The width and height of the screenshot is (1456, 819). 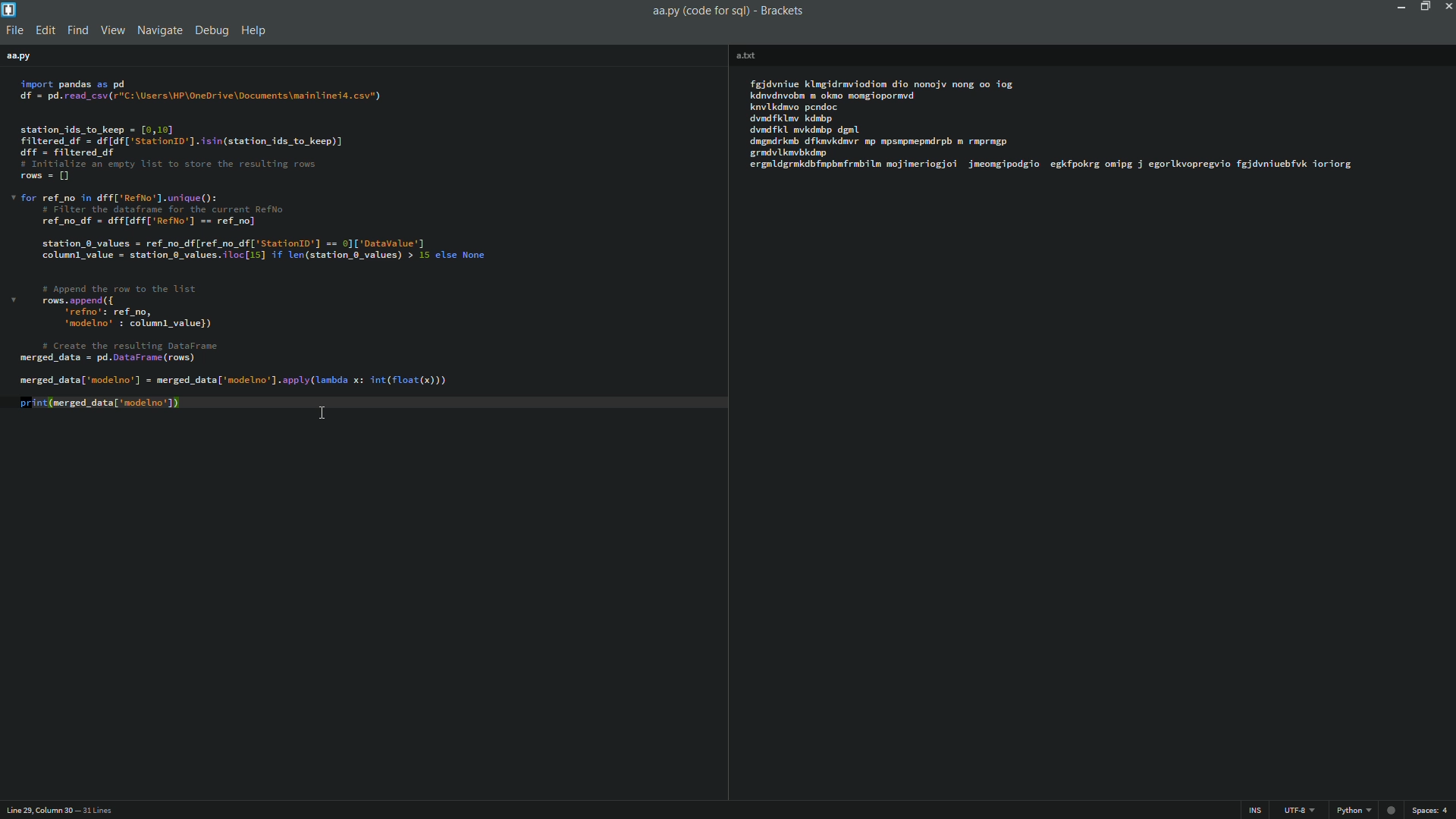 What do you see at coordinates (322, 413) in the screenshot?
I see `cursor` at bounding box center [322, 413].